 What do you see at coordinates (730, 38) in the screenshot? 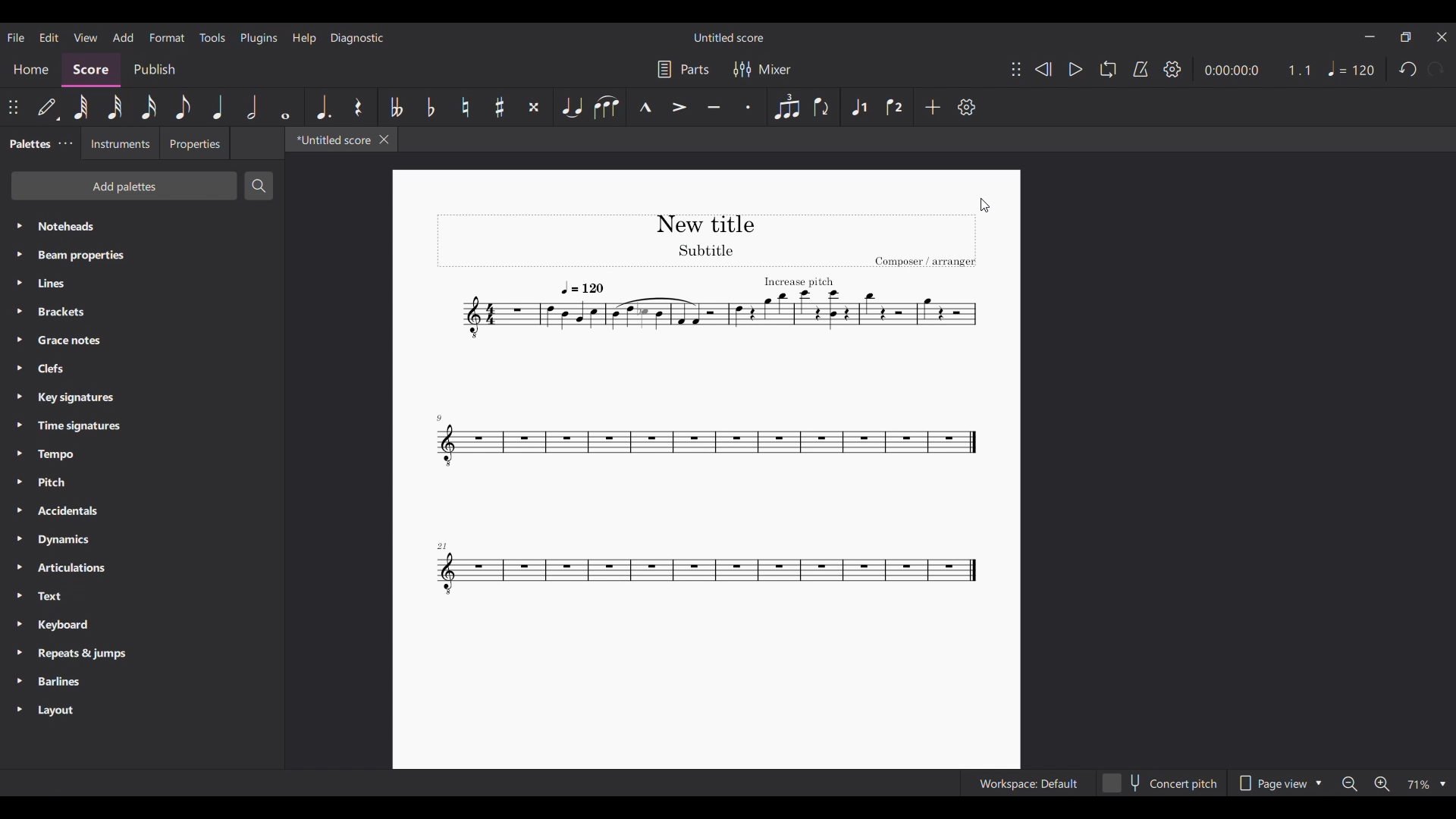
I see `Untitled score` at bounding box center [730, 38].